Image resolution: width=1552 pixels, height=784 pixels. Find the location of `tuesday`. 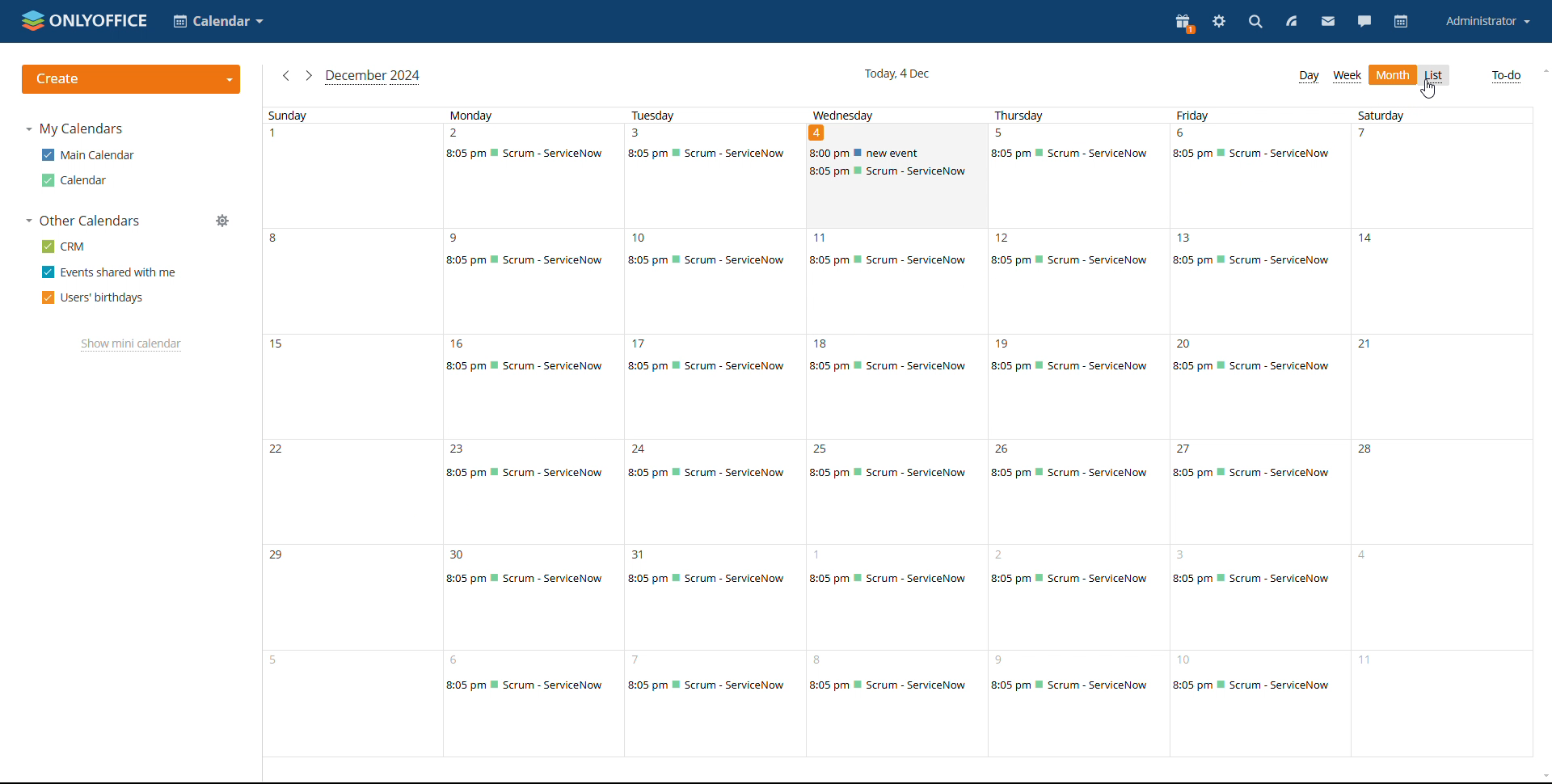

tuesday is located at coordinates (708, 114).